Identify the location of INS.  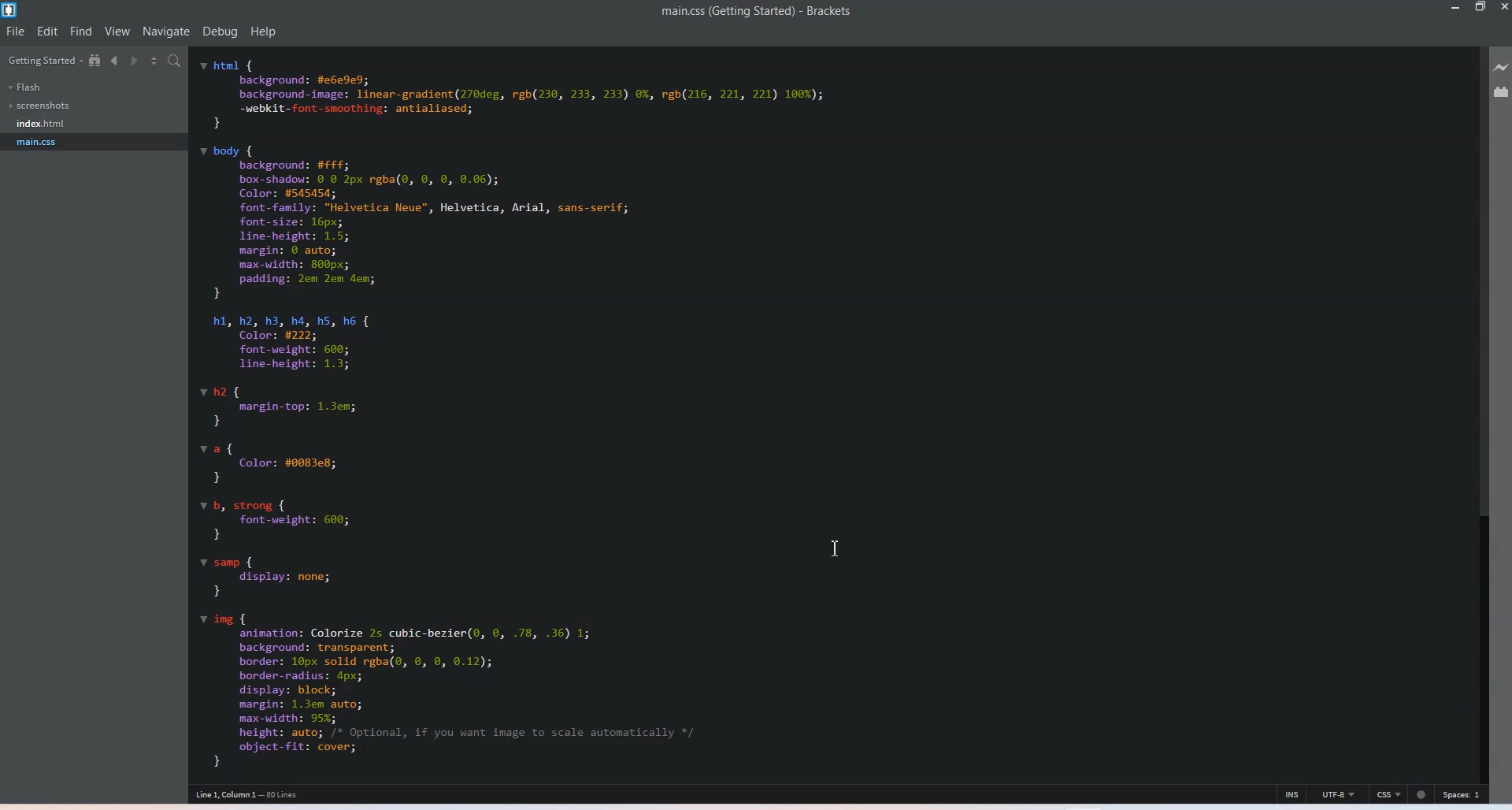
(1292, 793).